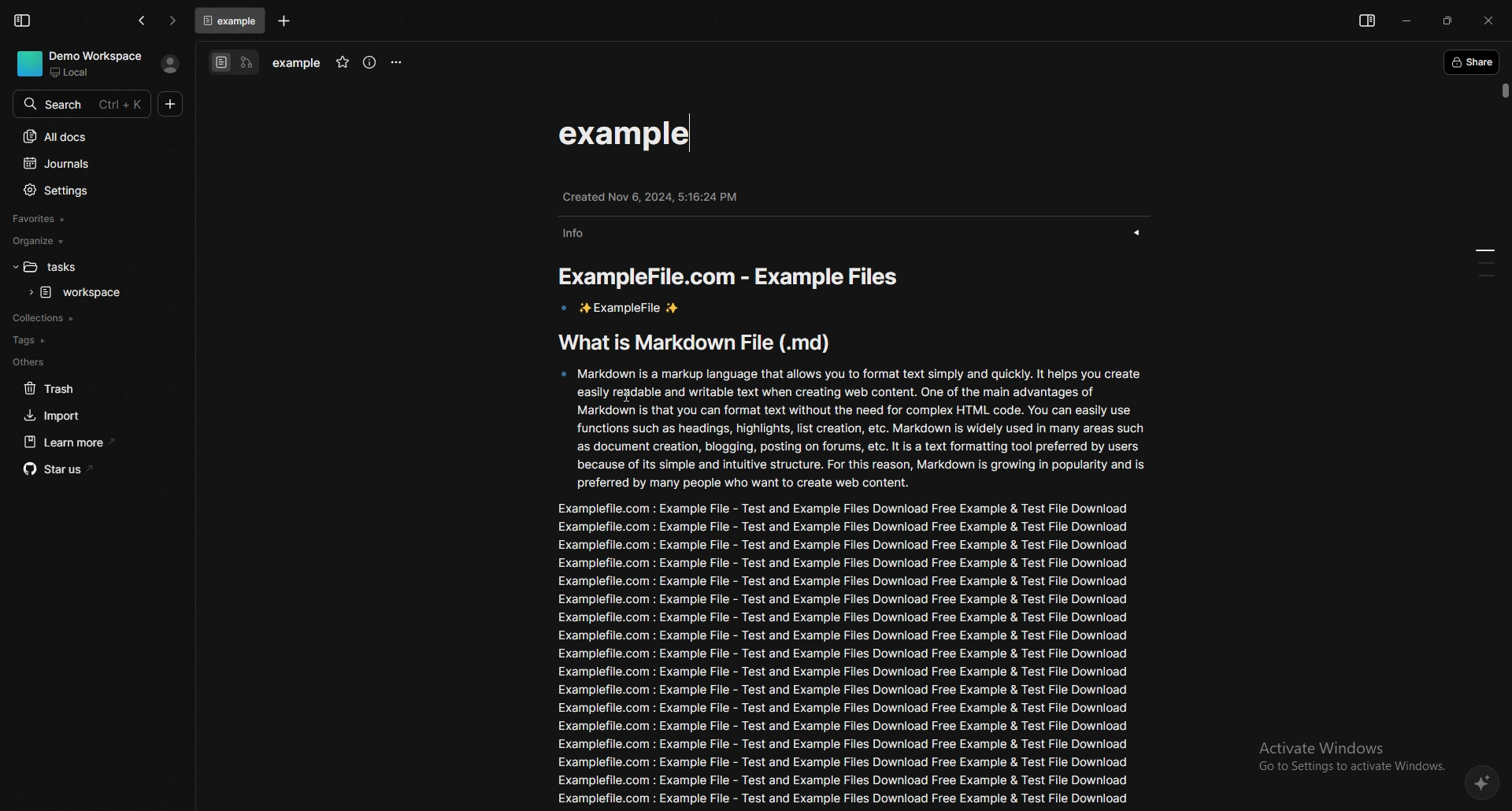 The width and height of the screenshot is (1512, 811). I want to click on share, so click(1473, 61).